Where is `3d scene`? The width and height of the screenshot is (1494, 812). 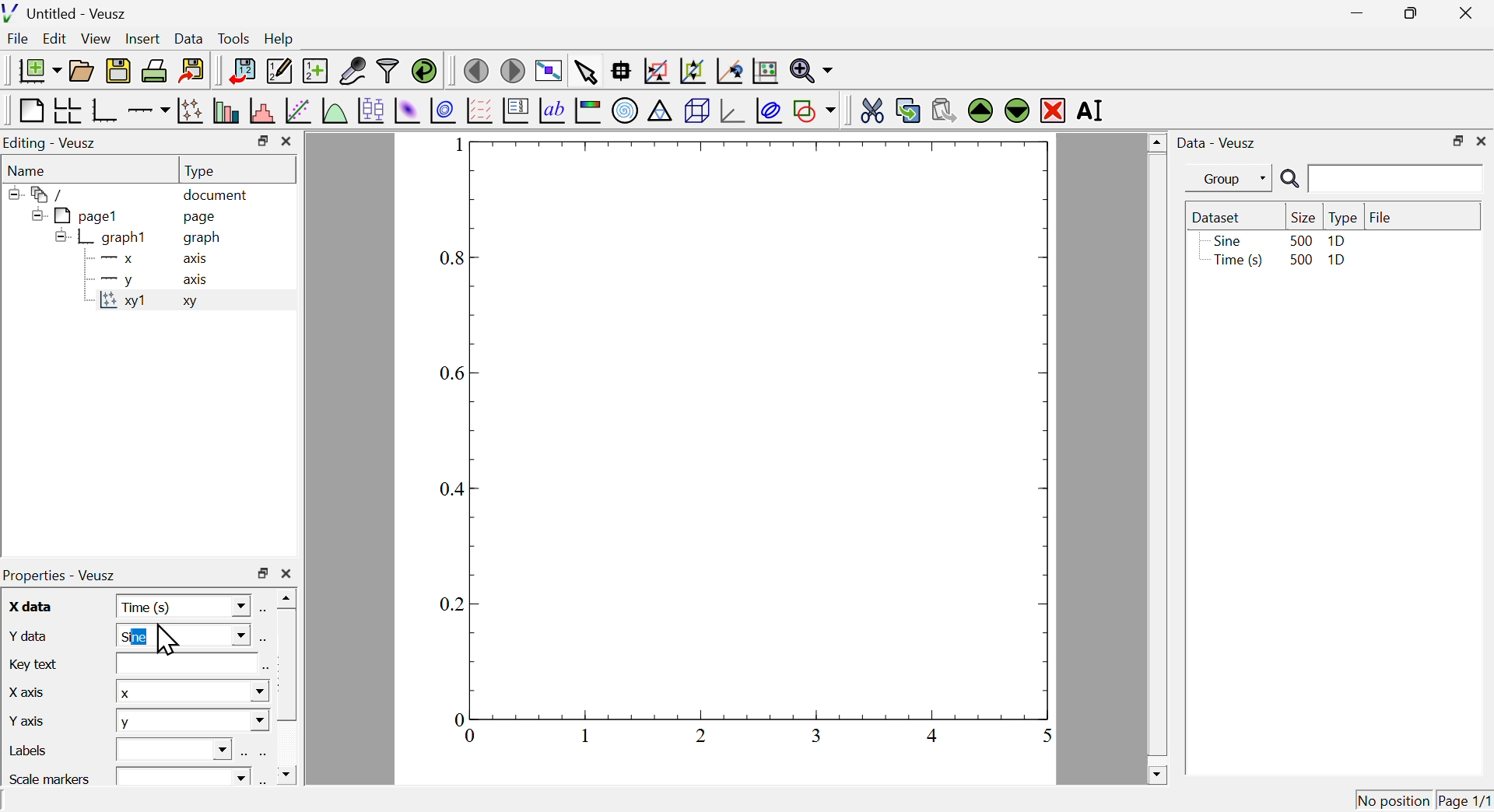
3d scene is located at coordinates (697, 112).